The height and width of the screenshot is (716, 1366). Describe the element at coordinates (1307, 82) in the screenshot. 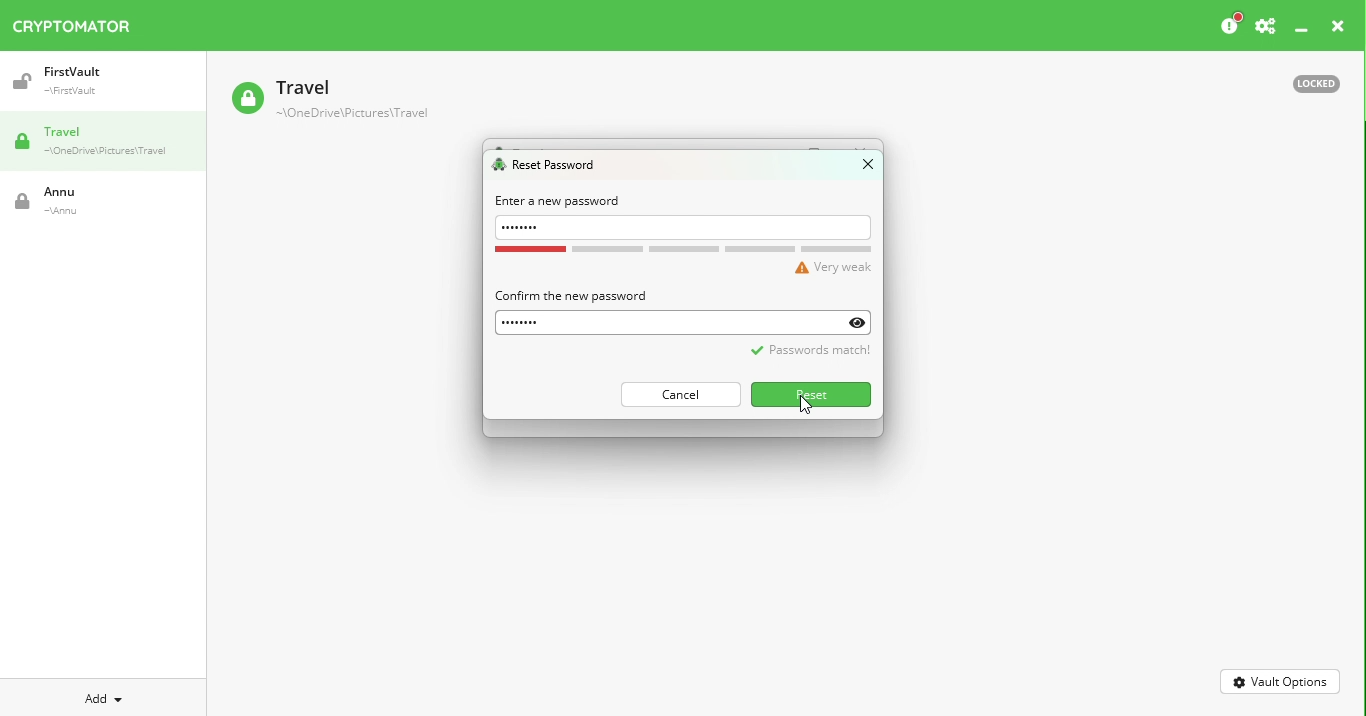

I see `Locked` at that location.